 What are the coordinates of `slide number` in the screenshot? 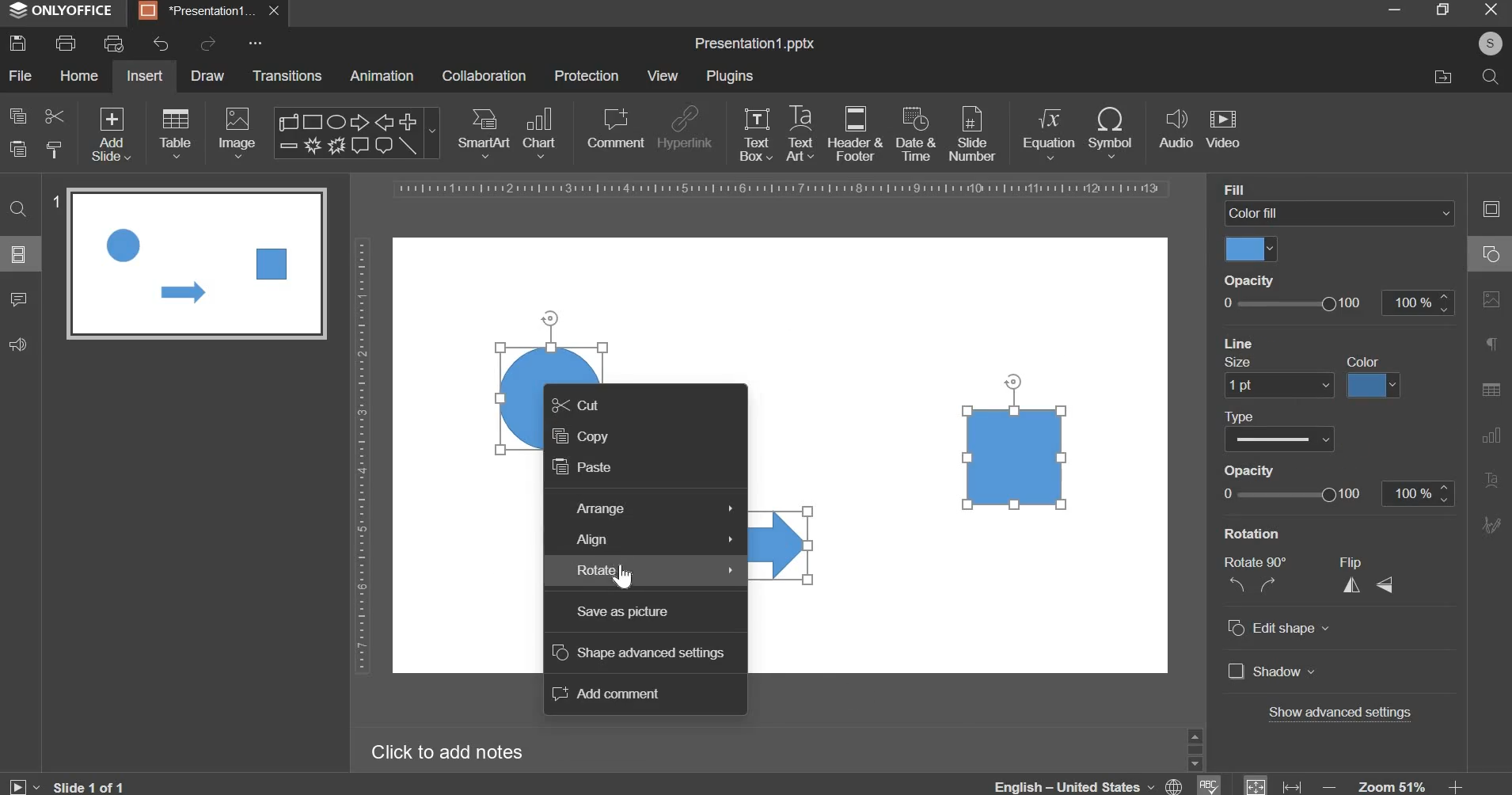 It's located at (971, 132).